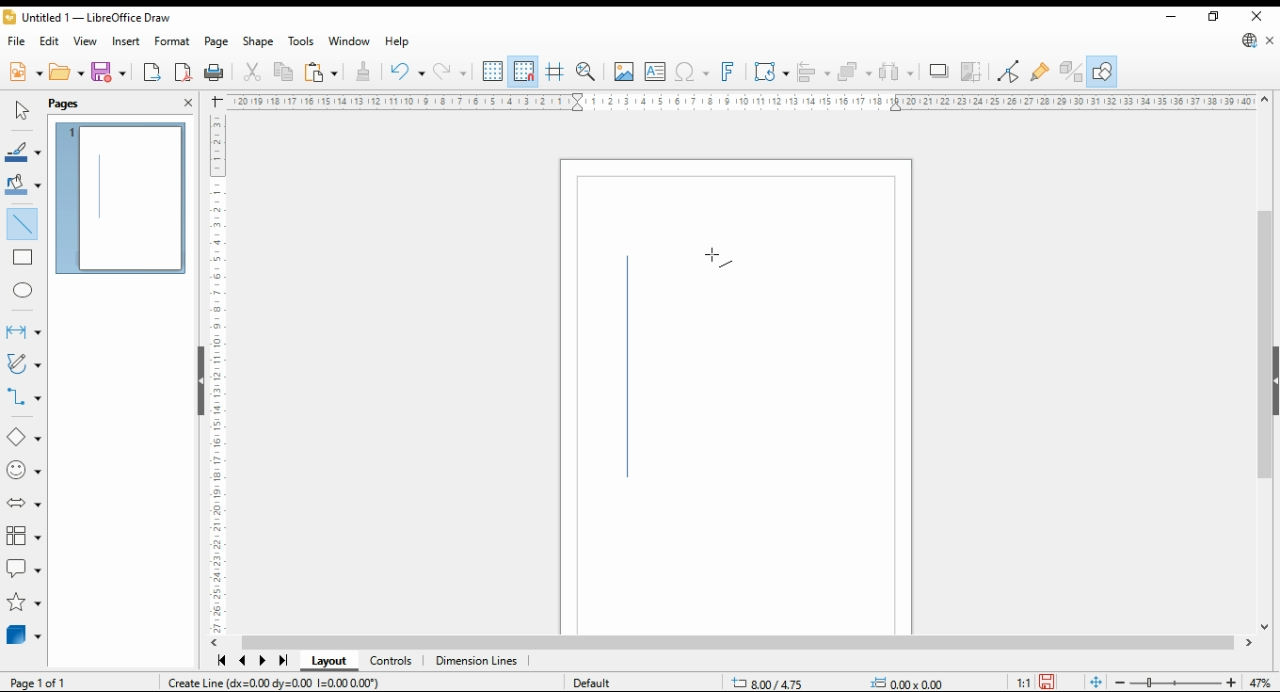 This screenshot has height=692, width=1280. Describe the element at coordinates (1172, 17) in the screenshot. I see `minimize` at that location.